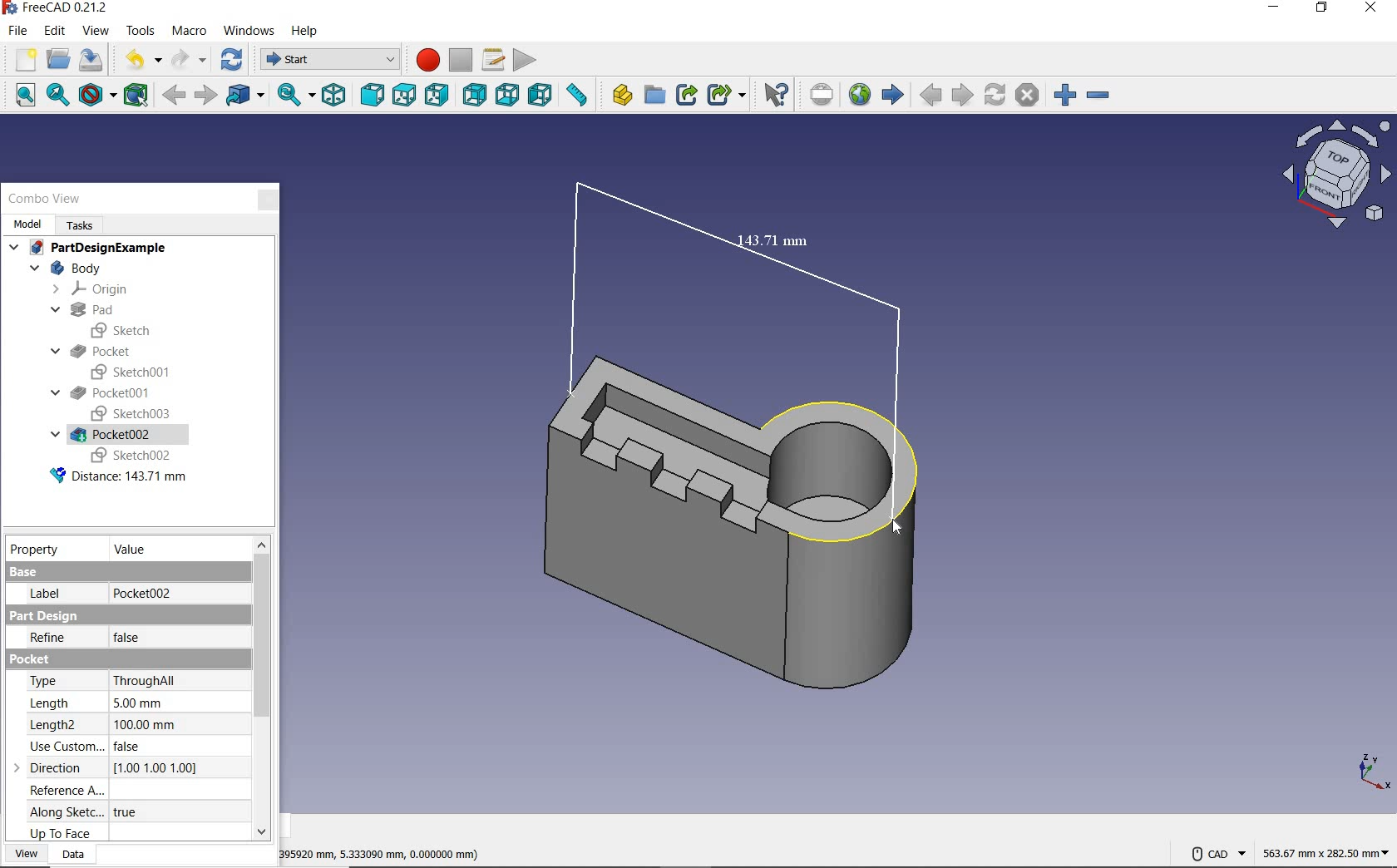 This screenshot has height=868, width=1397. I want to click on pocket, so click(29, 659).